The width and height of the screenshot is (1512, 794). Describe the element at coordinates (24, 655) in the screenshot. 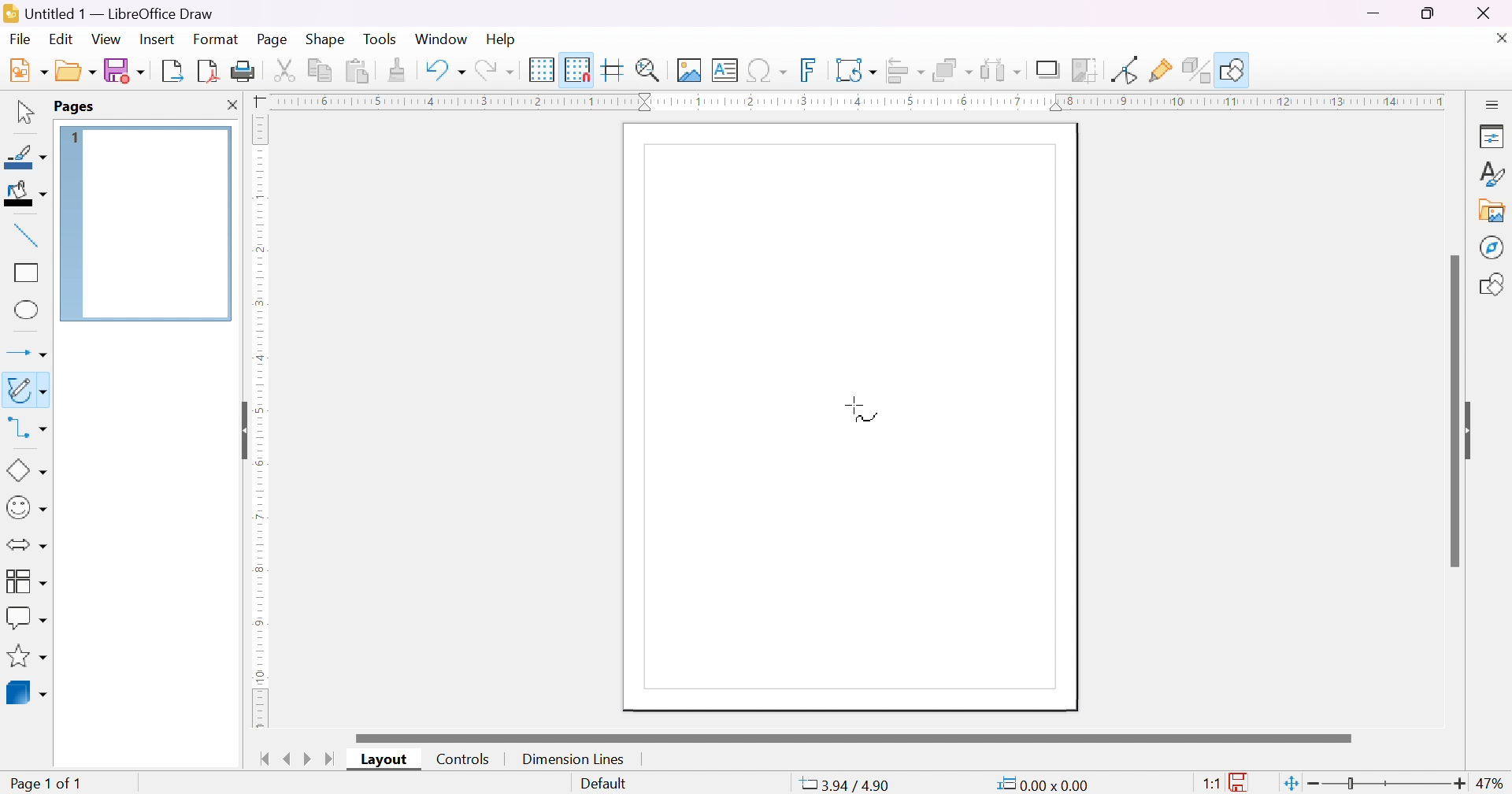

I see `stars & banners` at that location.